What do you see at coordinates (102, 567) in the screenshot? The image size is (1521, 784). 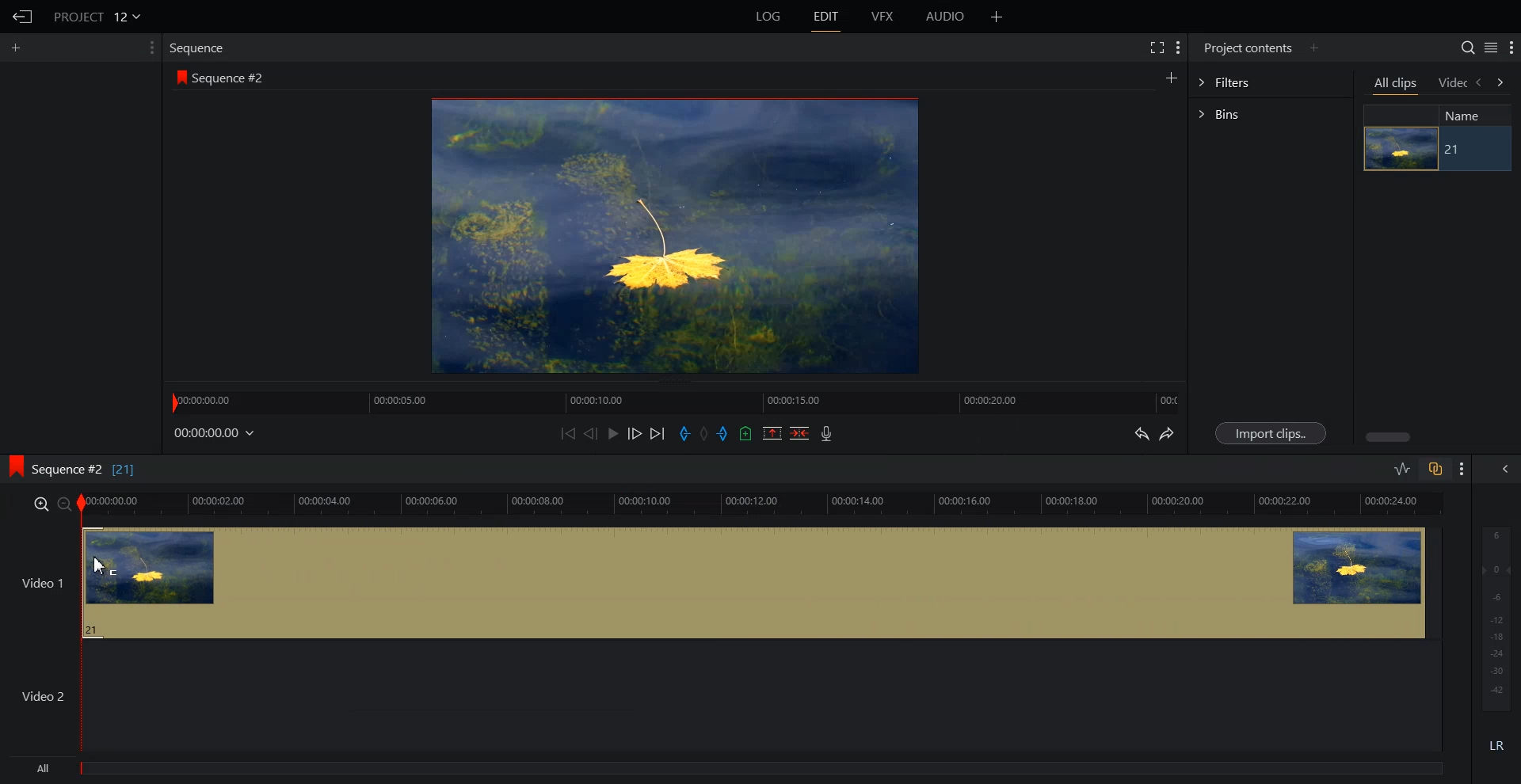 I see `cursor` at bounding box center [102, 567].